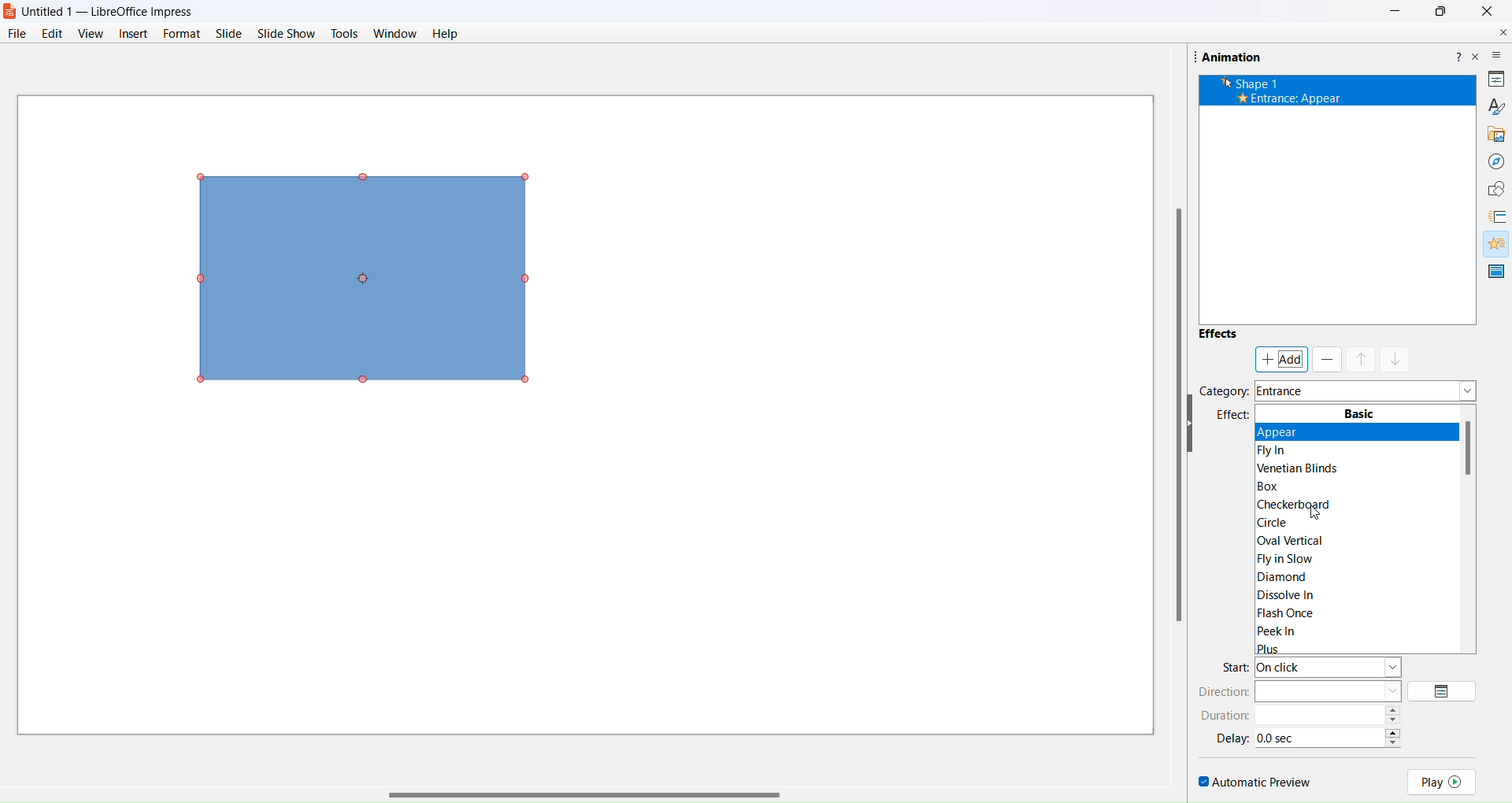  I want to click on Animation, so click(1239, 56).